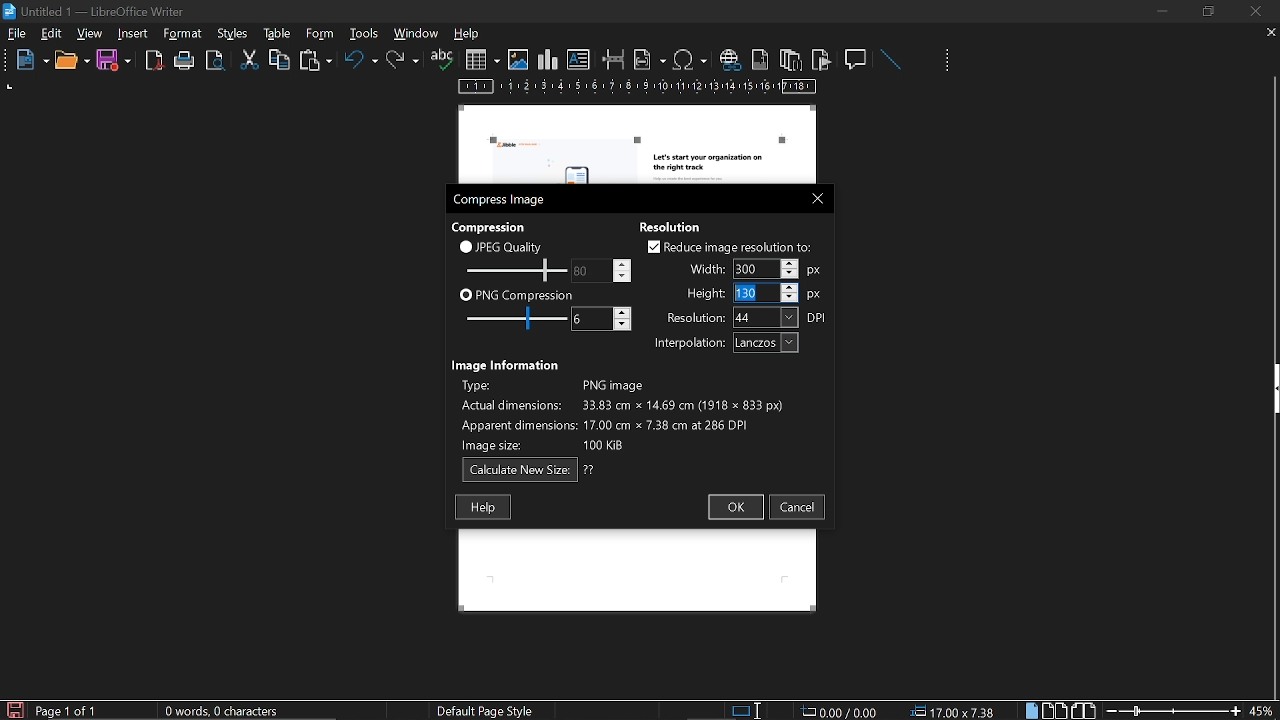 The height and width of the screenshot is (720, 1280). What do you see at coordinates (17, 35) in the screenshot?
I see `file` at bounding box center [17, 35].